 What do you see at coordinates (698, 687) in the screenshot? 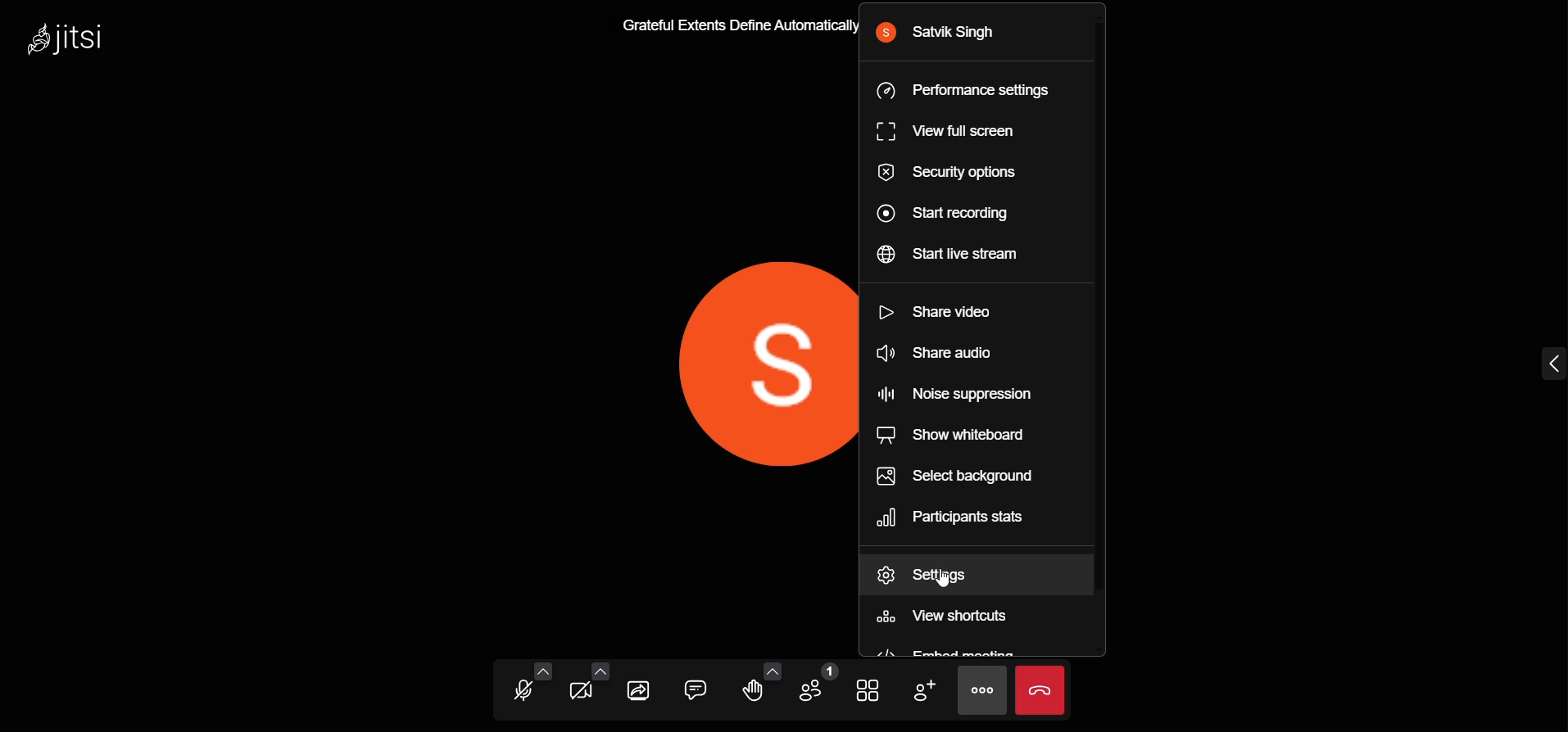
I see `chat` at bounding box center [698, 687].